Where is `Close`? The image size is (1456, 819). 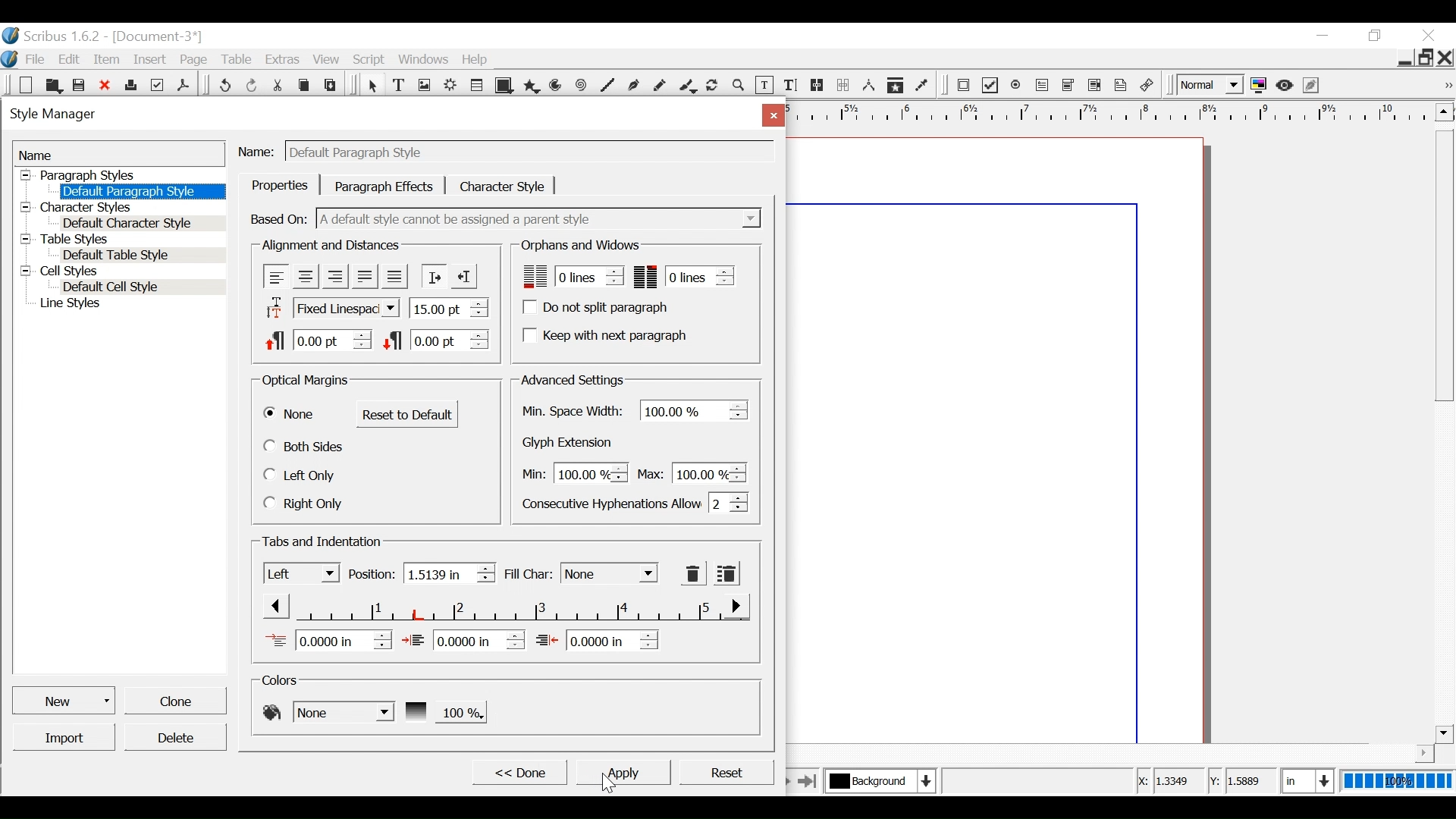 Close is located at coordinates (770, 115).